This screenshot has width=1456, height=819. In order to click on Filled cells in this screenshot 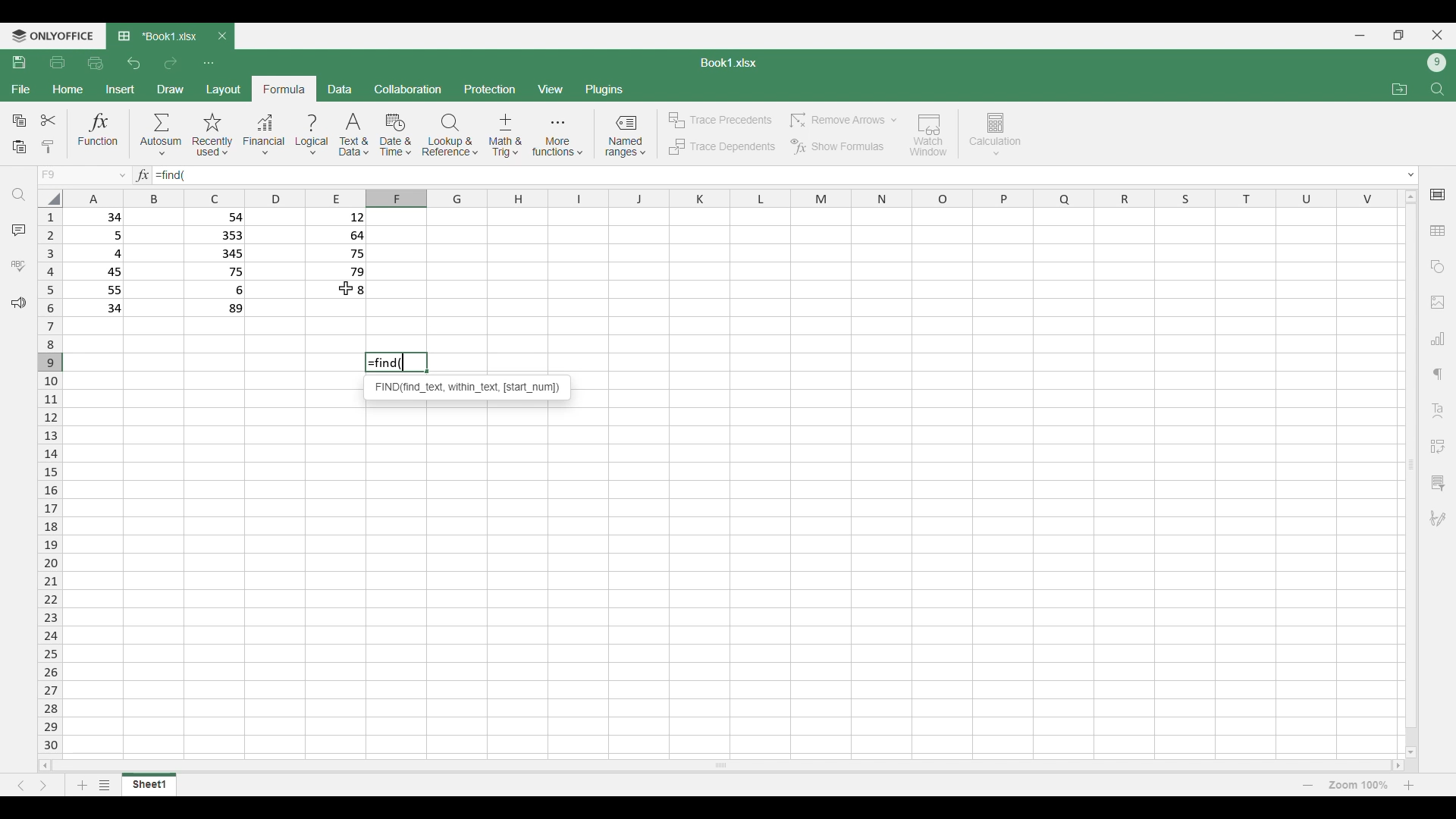, I will do `click(337, 256)`.